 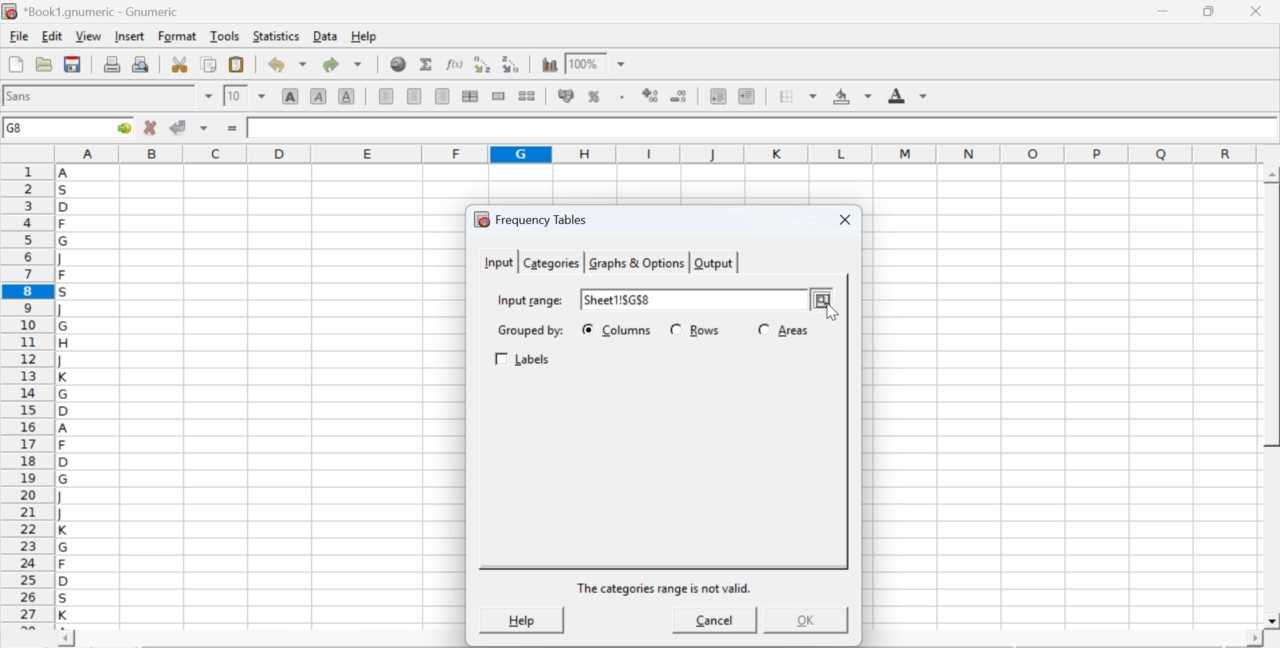 I want to click on decrease number of decimals displayed, so click(x=678, y=97).